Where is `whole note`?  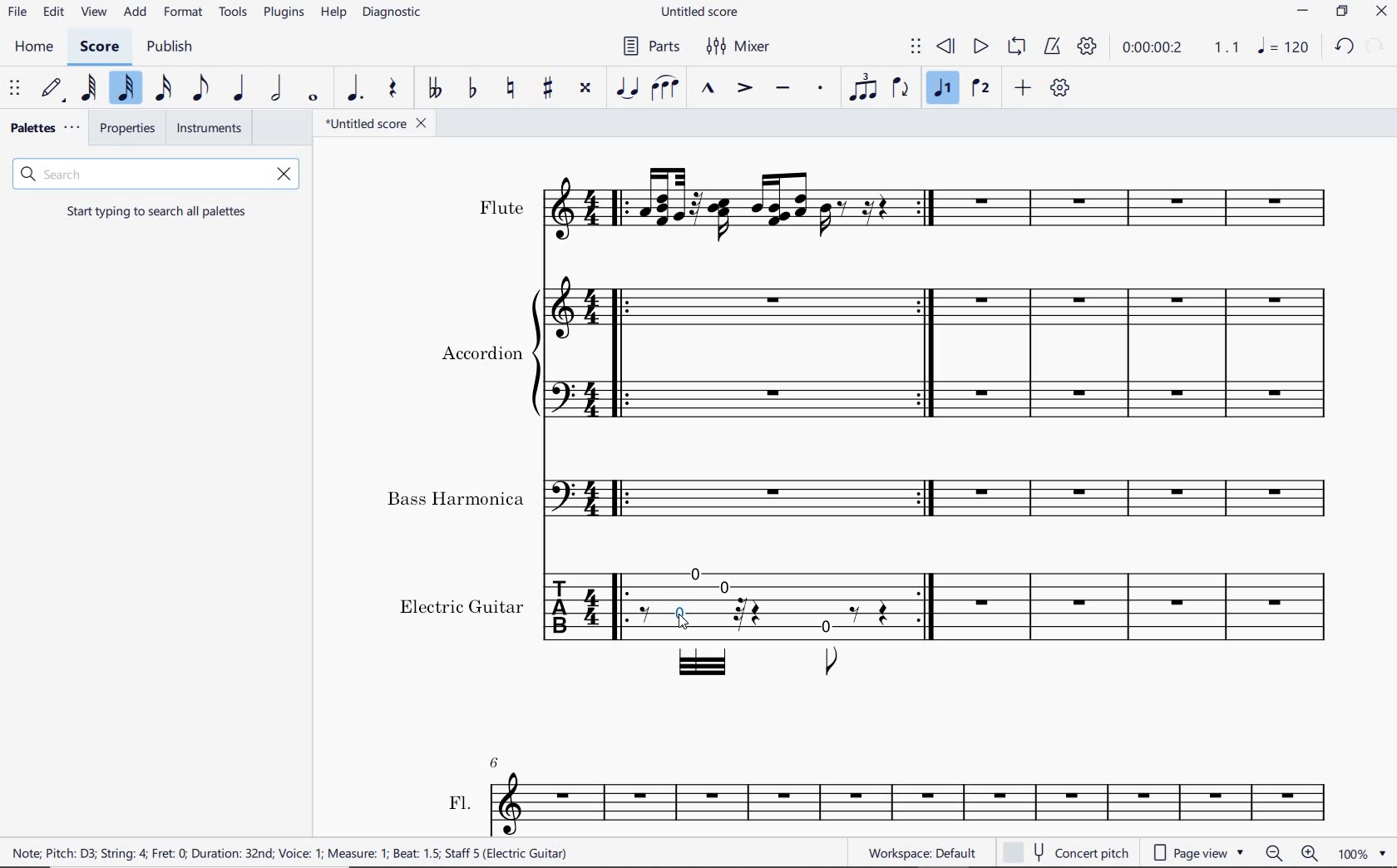 whole note is located at coordinates (313, 96).